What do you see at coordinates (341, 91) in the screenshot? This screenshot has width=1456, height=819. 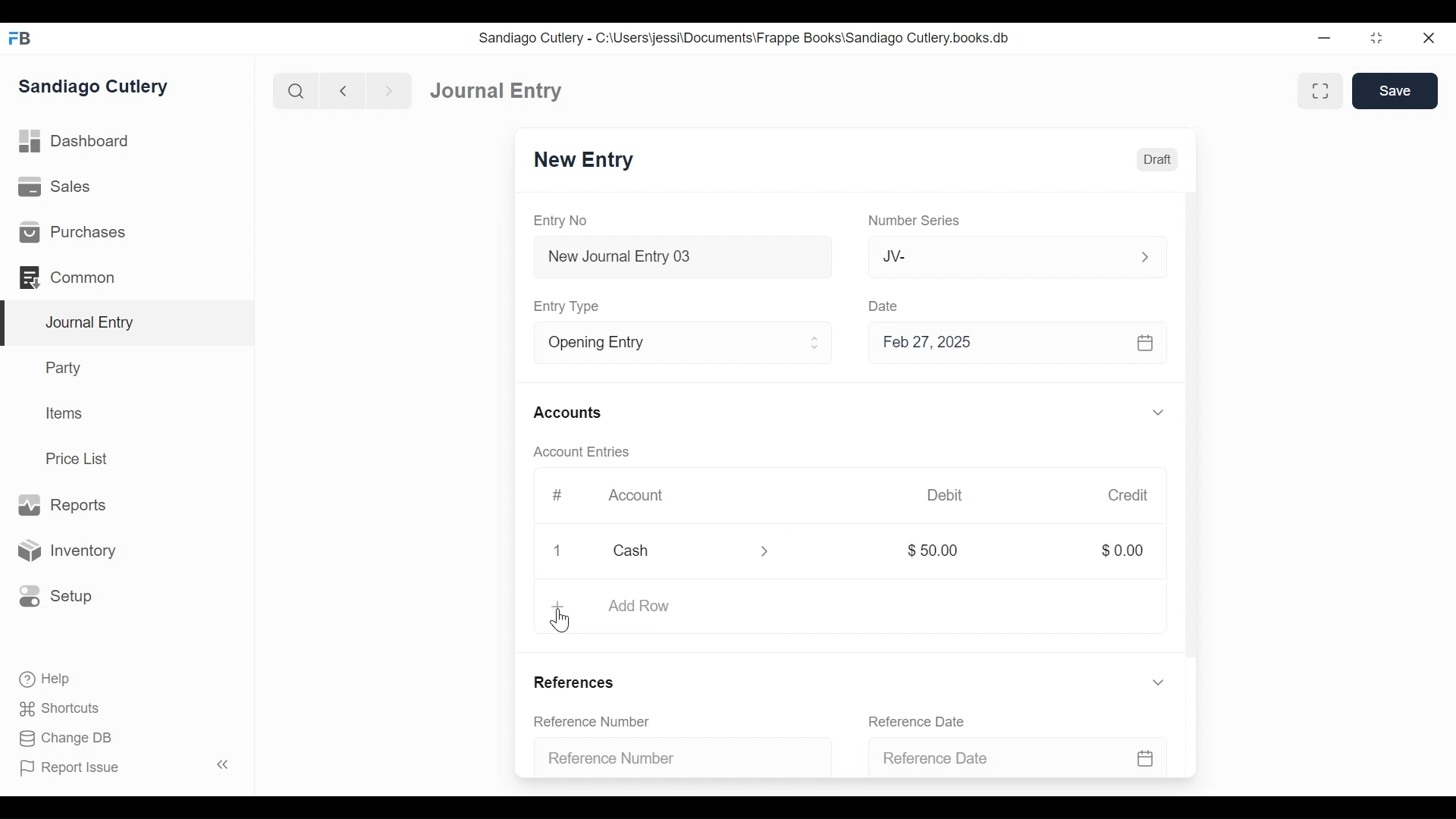 I see `Navigate back` at bounding box center [341, 91].